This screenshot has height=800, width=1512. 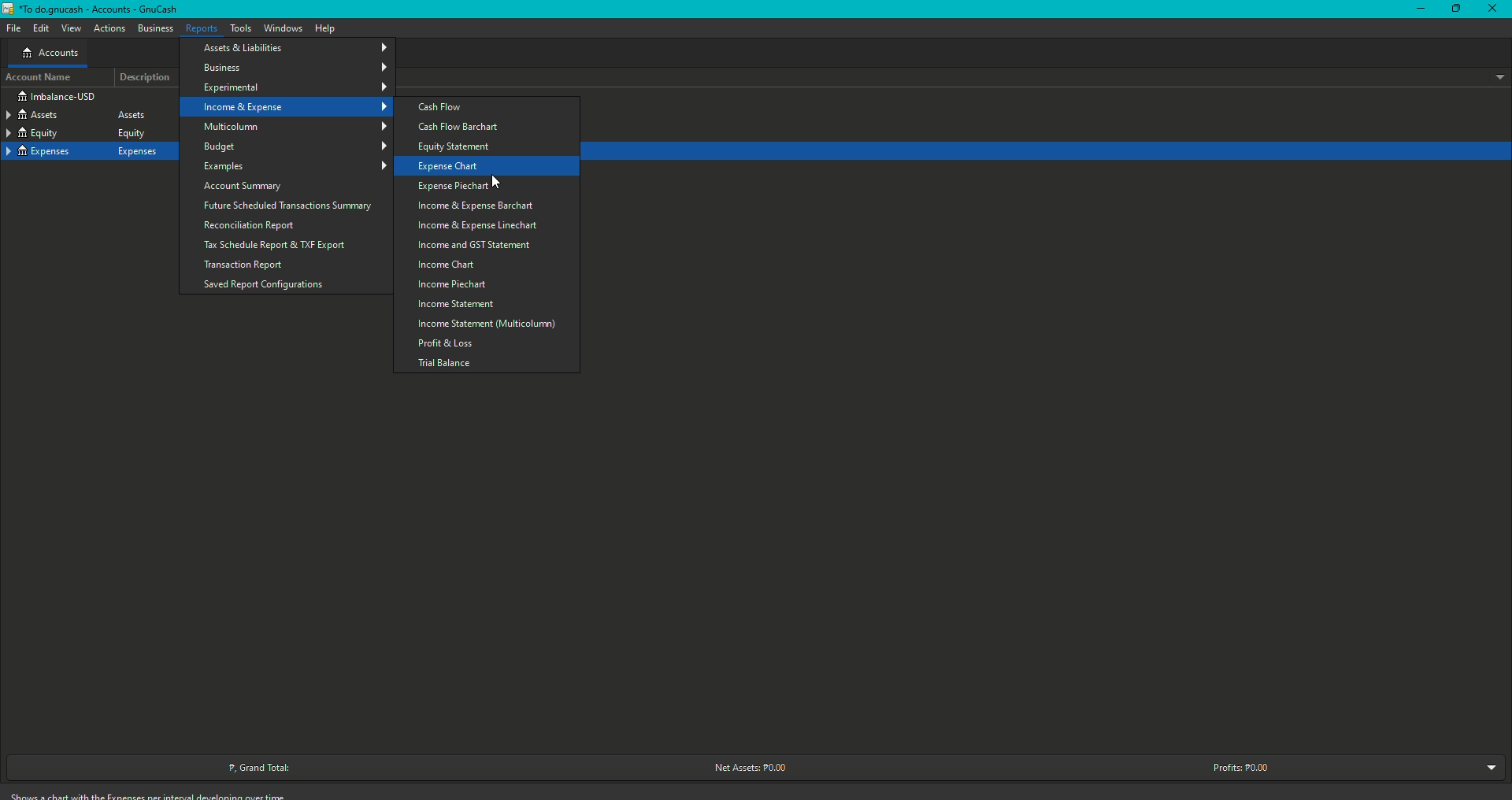 I want to click on Multicolumn, so click(x=295, y=127).